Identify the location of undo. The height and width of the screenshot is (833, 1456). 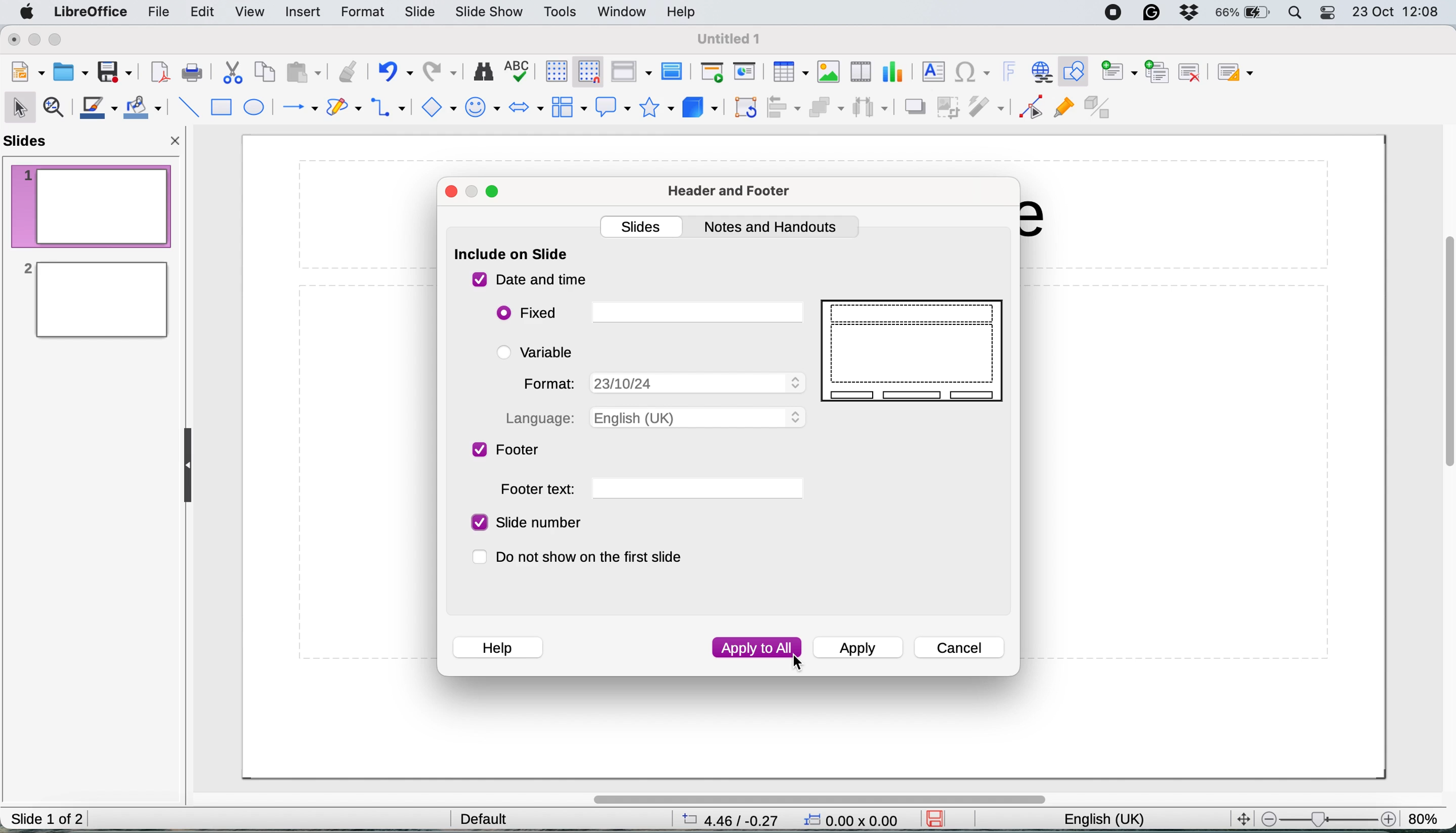
(395, 73).